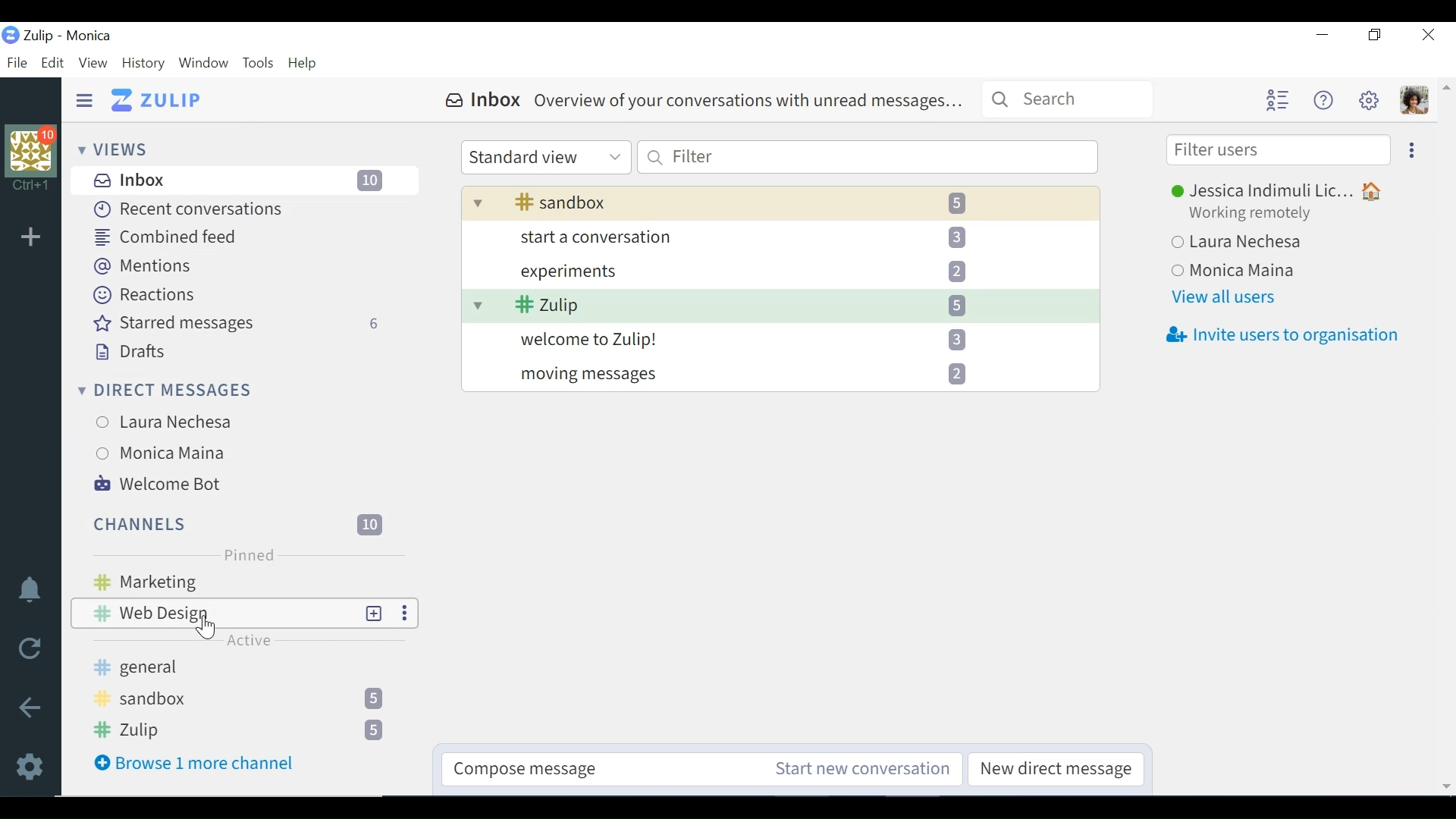  What do you see at coordinates (213, 613) in the screenshot?
I see `web design Channel` at bounding box center [213, 613].